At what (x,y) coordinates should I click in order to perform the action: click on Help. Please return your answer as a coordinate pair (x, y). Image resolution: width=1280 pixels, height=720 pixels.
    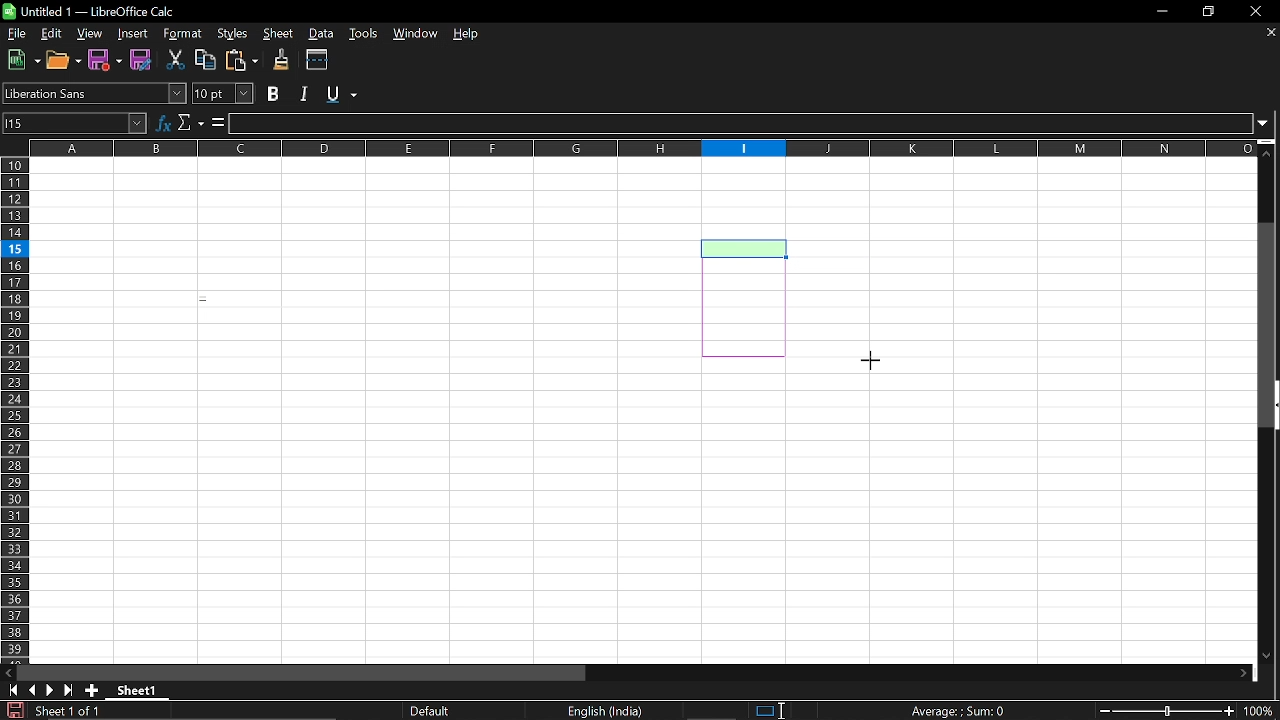
    Looking at the image, I should click on (467, 36).